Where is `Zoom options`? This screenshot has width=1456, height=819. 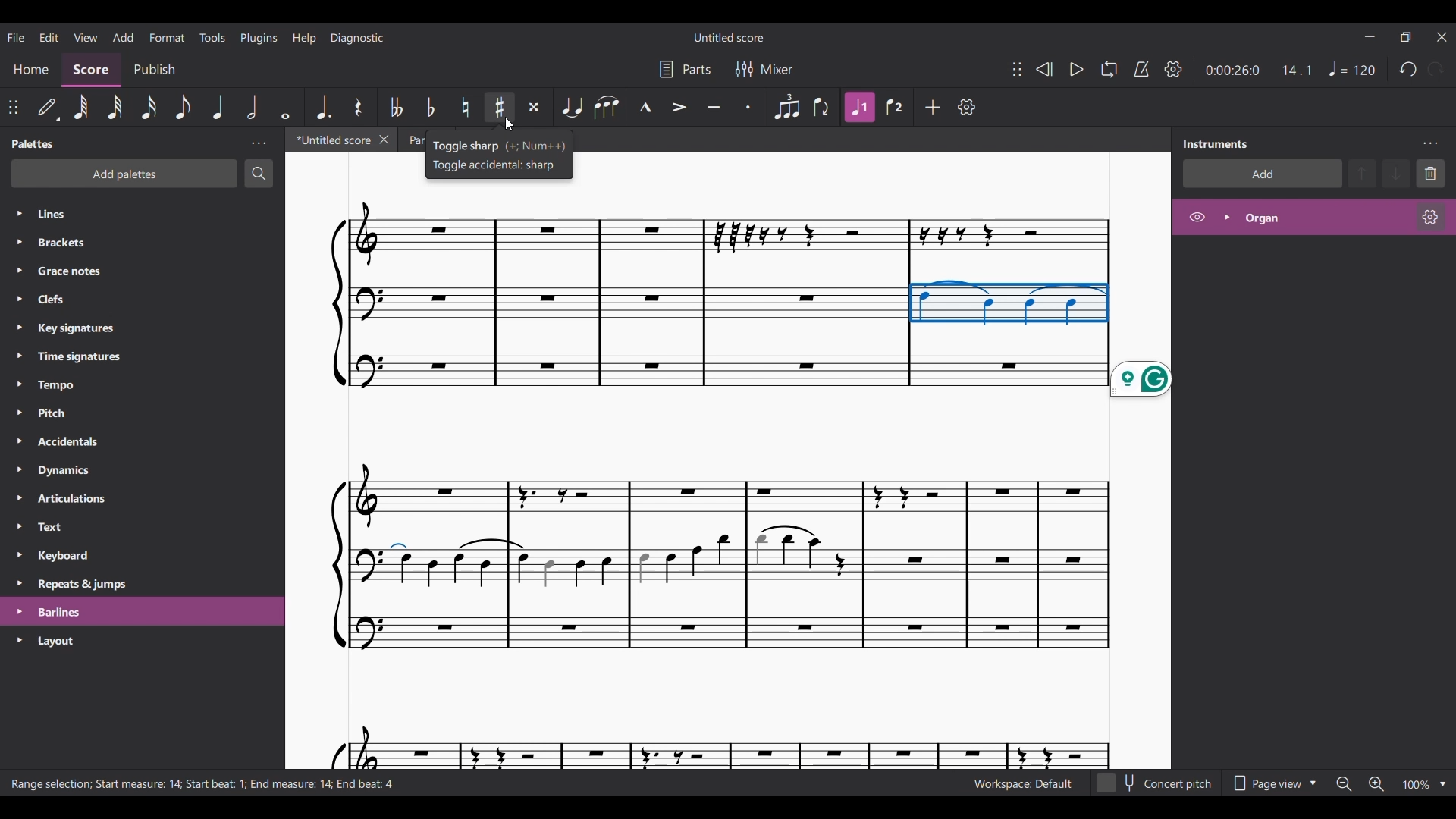 Zoom options is located at coordinates (1442, 784).